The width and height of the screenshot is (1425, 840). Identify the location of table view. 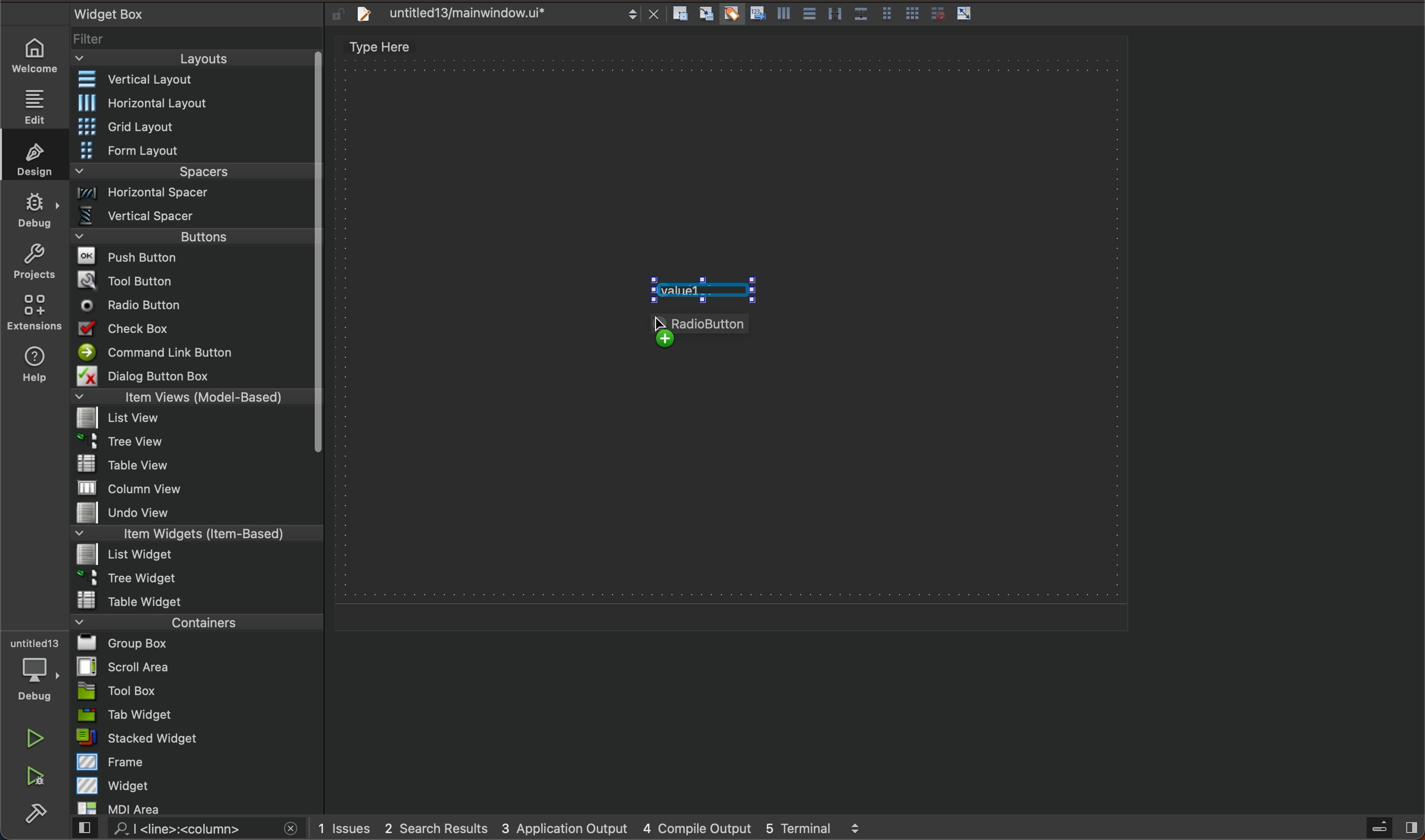
(197, 465).